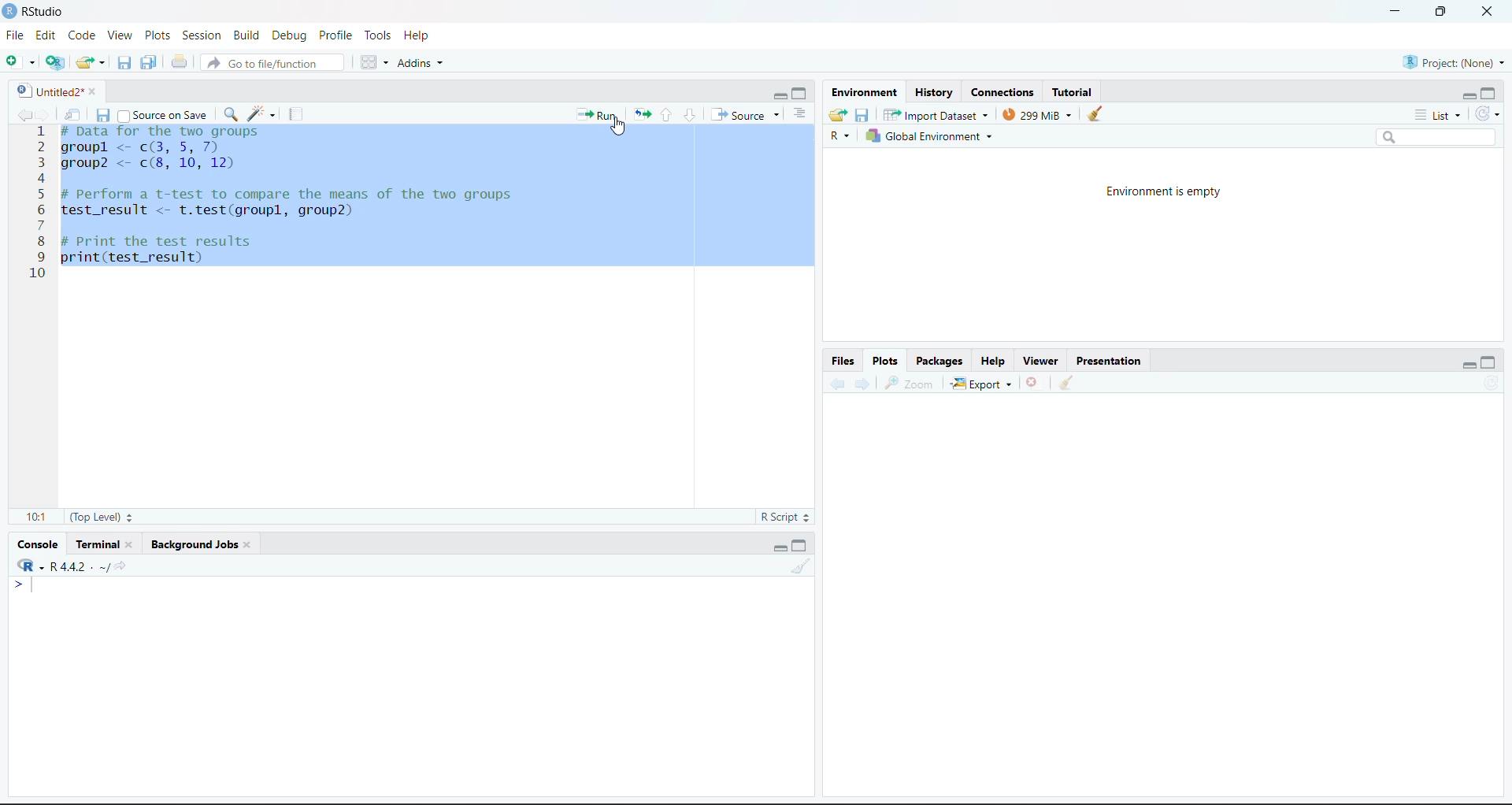 The height and width of the screenshot is (805, 1512). Describe the element at coordinates (56, 63) in the screenshot. I see `create a project` at that location.